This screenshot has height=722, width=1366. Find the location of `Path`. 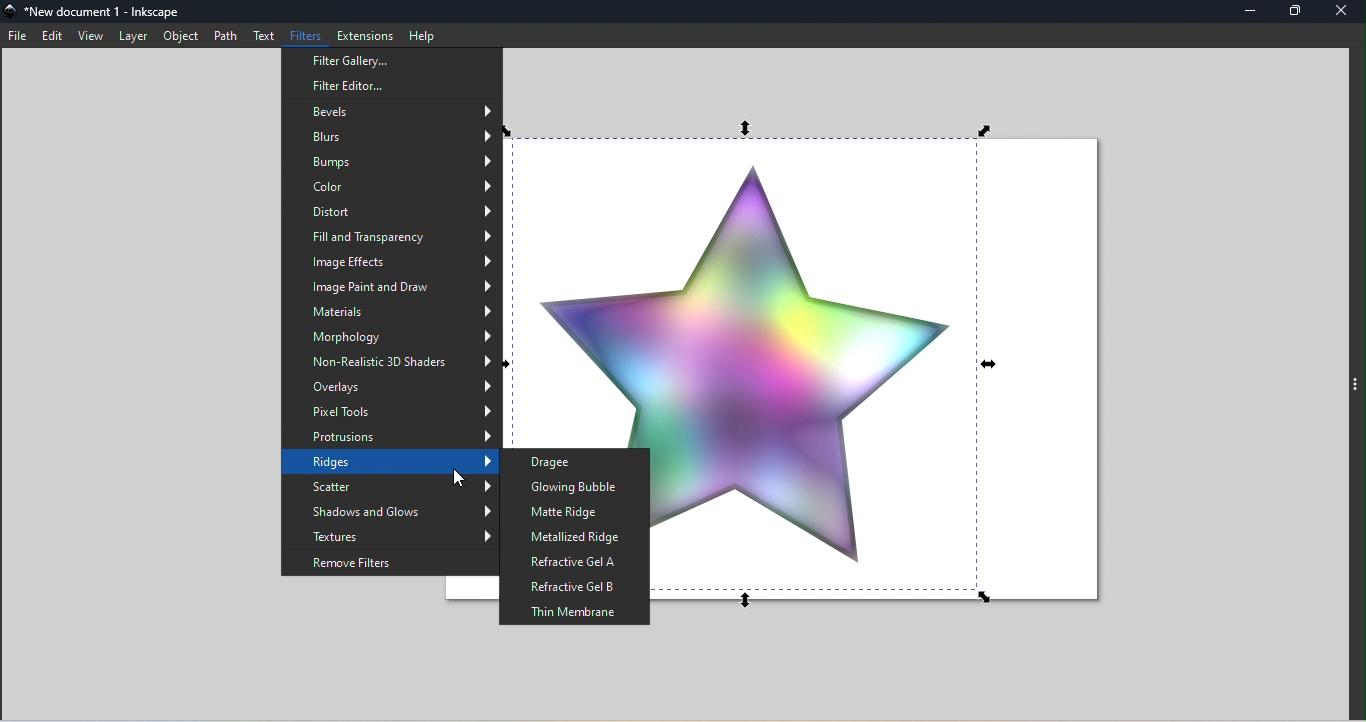

Path is located at coordinates (228, 37).